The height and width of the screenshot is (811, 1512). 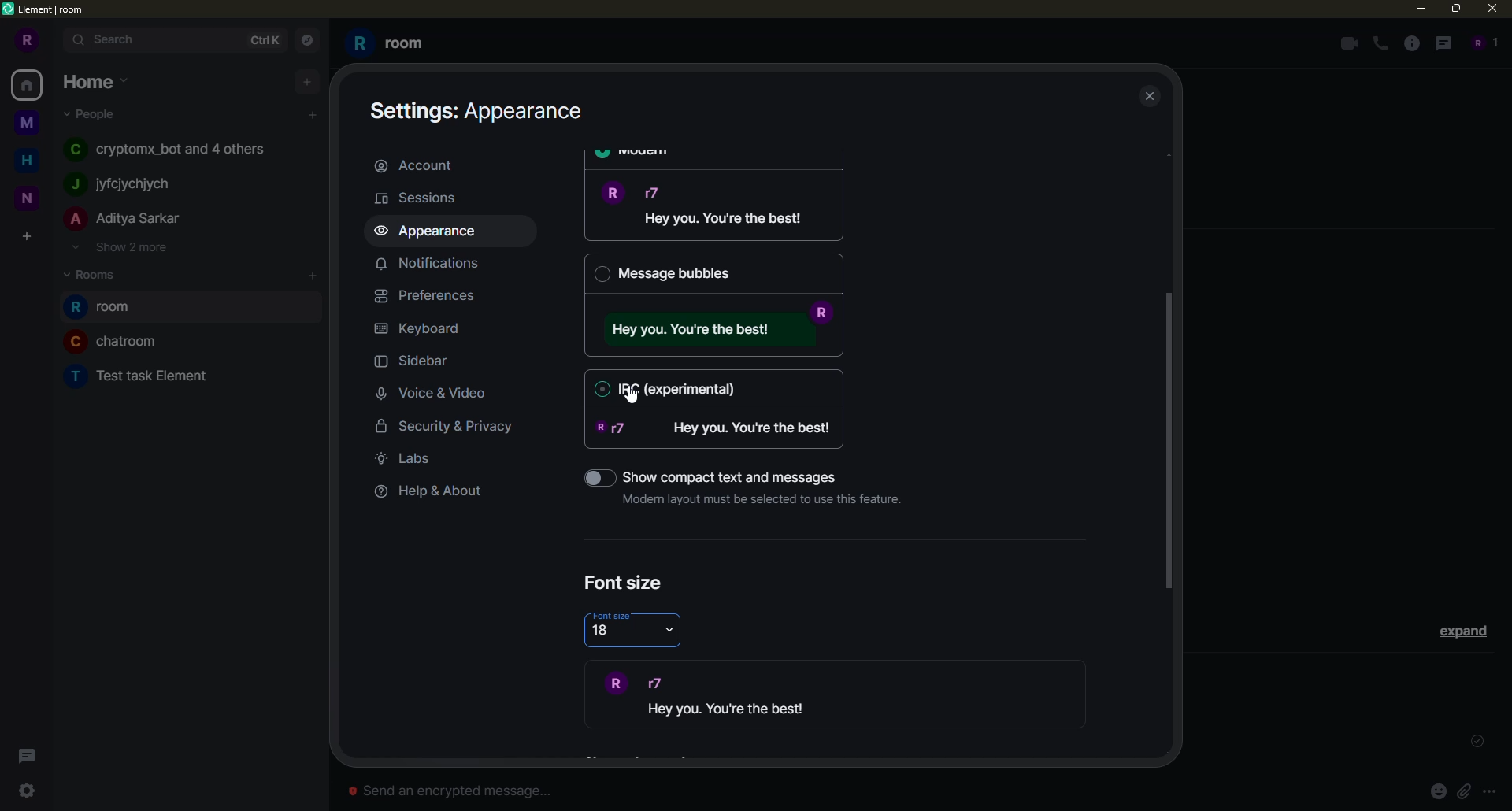 I want to click on people, so click(x=120, y=184).